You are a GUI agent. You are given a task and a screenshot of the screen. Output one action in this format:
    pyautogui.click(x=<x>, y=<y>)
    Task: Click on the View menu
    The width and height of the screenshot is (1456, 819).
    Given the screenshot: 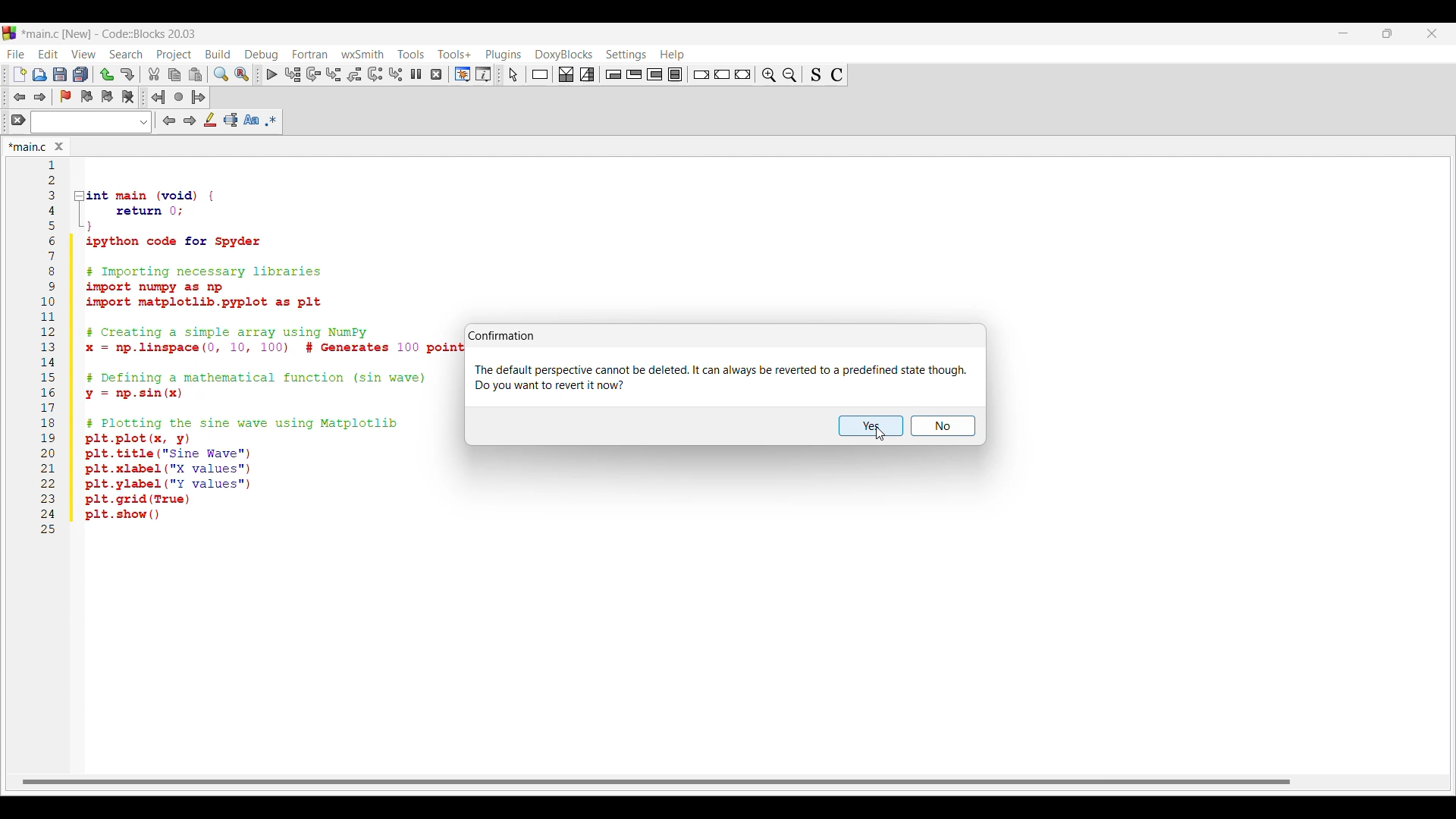 What is the action you would take?
    pyautogui.click(x=84, y=54)
    